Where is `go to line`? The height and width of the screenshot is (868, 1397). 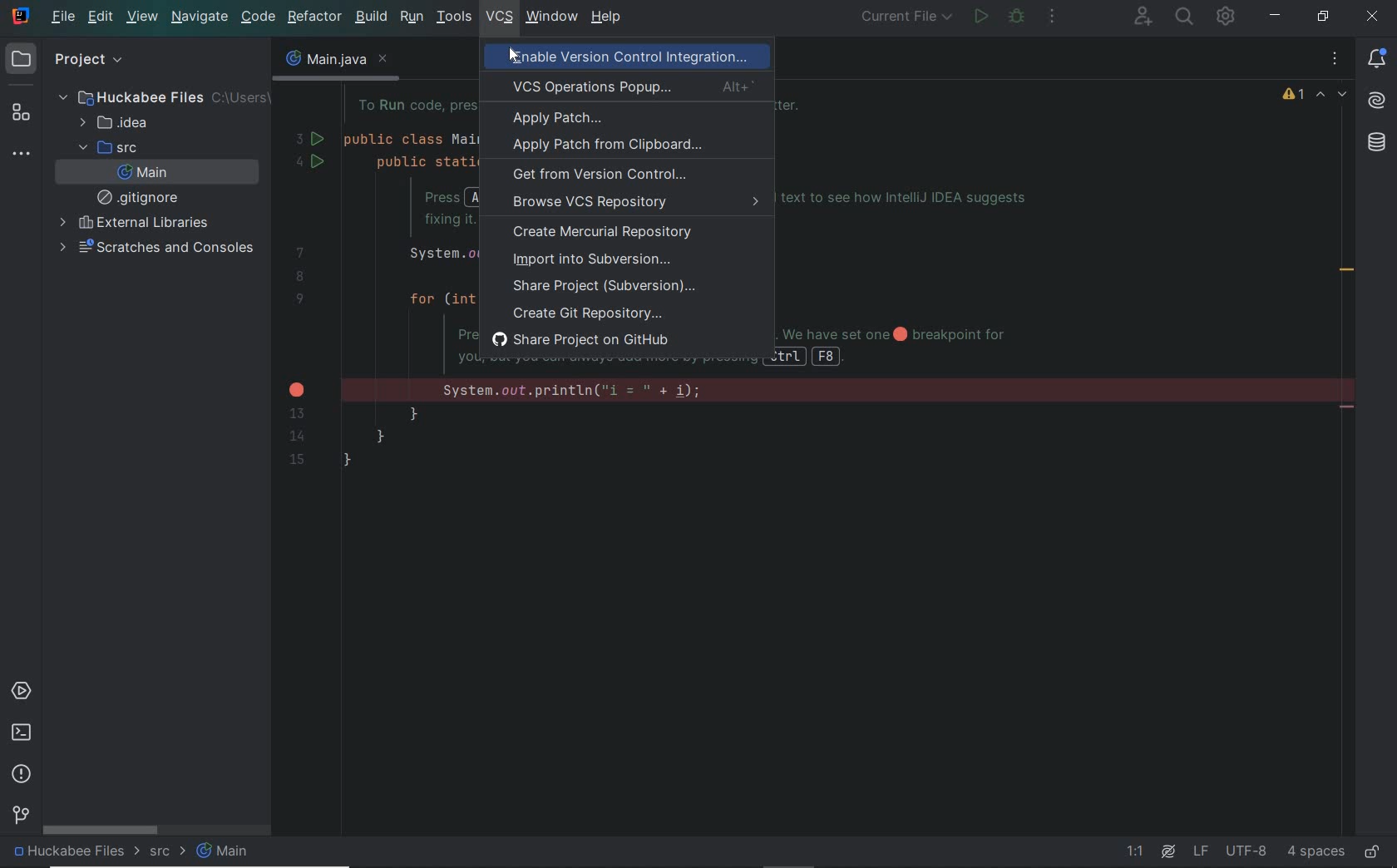 go to line is located at coordinates (1138, 852).